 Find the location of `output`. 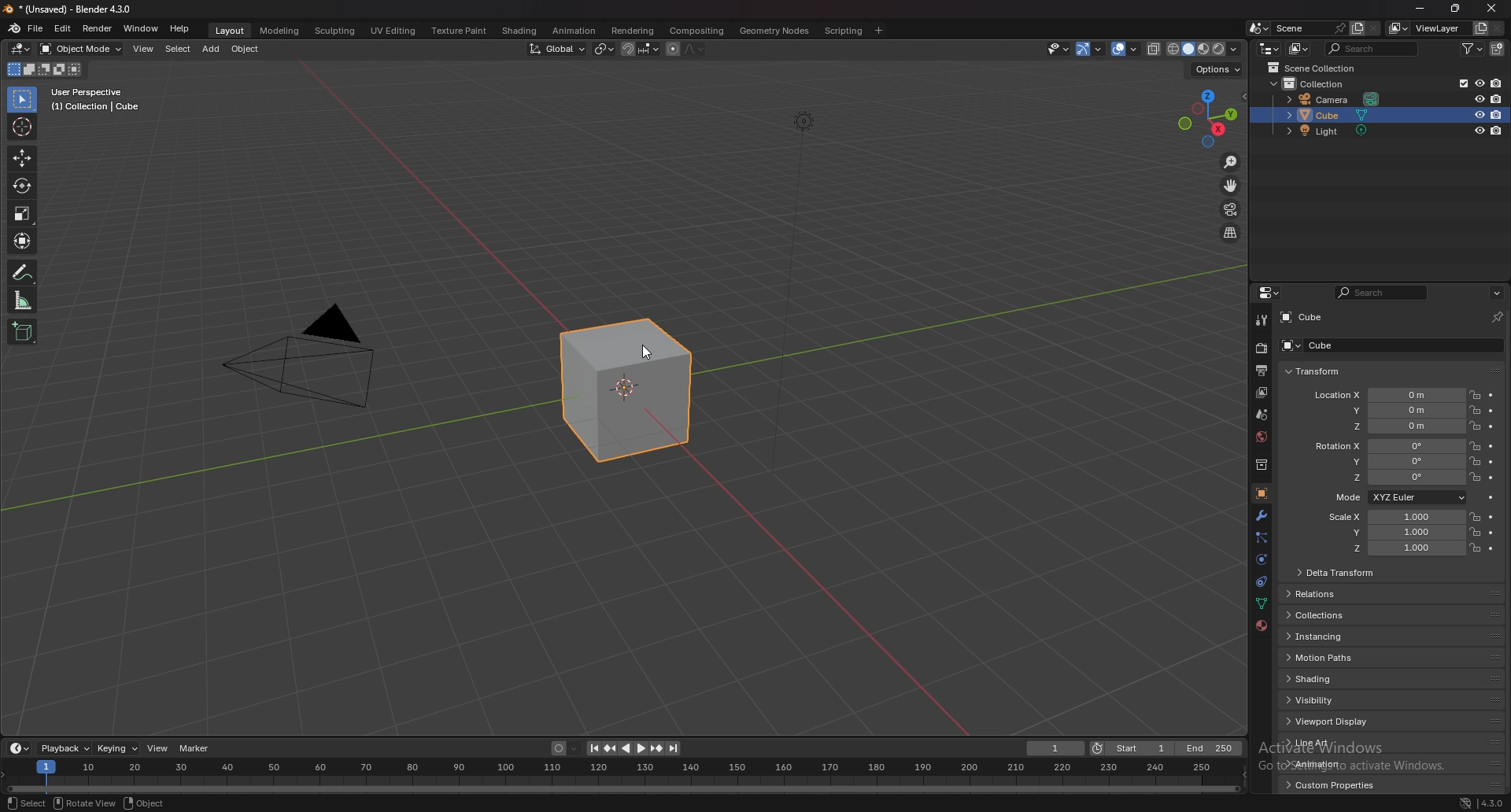

output is located at coordinates (1264, 370).